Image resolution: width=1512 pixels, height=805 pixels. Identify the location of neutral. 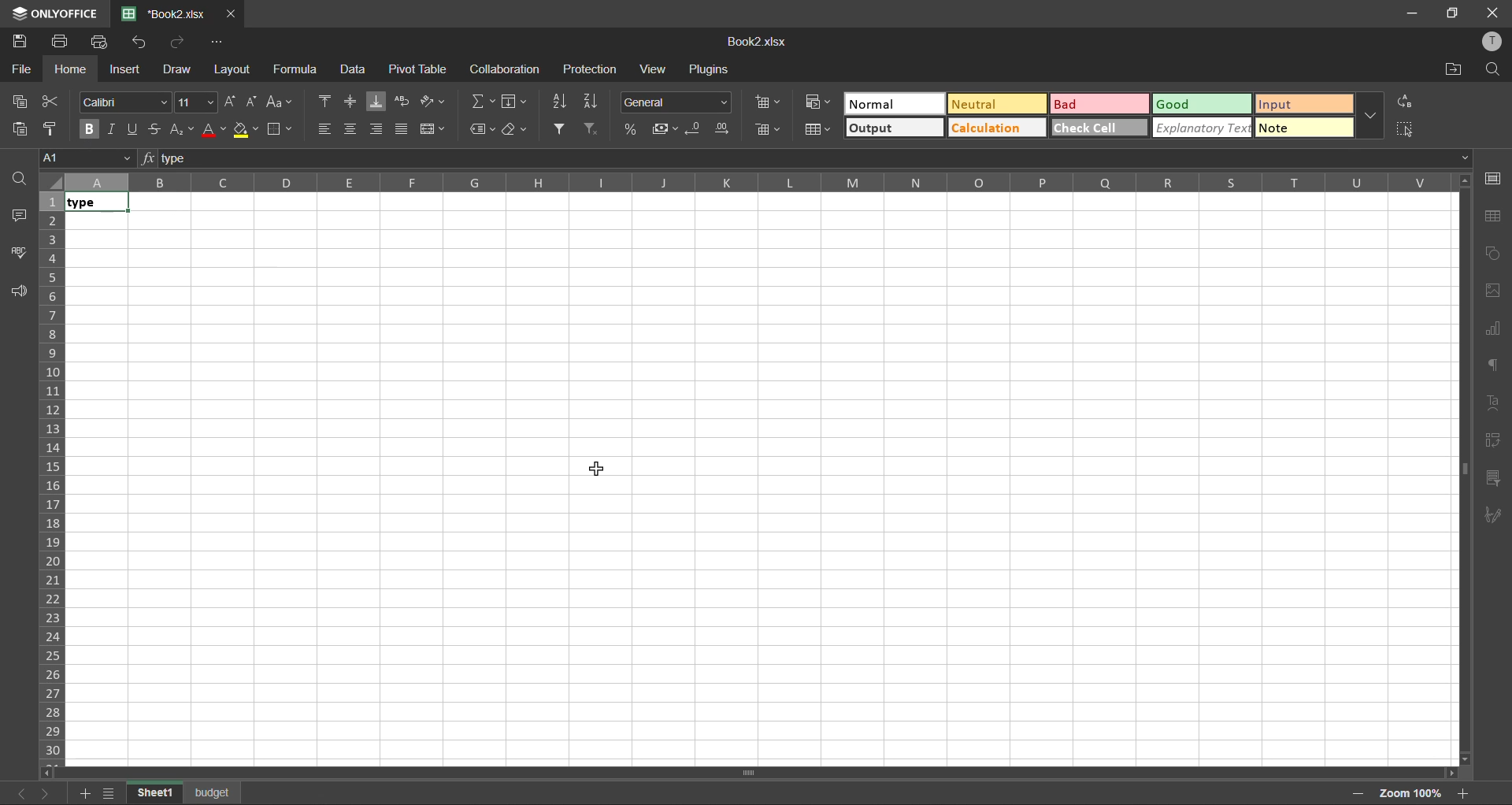
(996, 105).